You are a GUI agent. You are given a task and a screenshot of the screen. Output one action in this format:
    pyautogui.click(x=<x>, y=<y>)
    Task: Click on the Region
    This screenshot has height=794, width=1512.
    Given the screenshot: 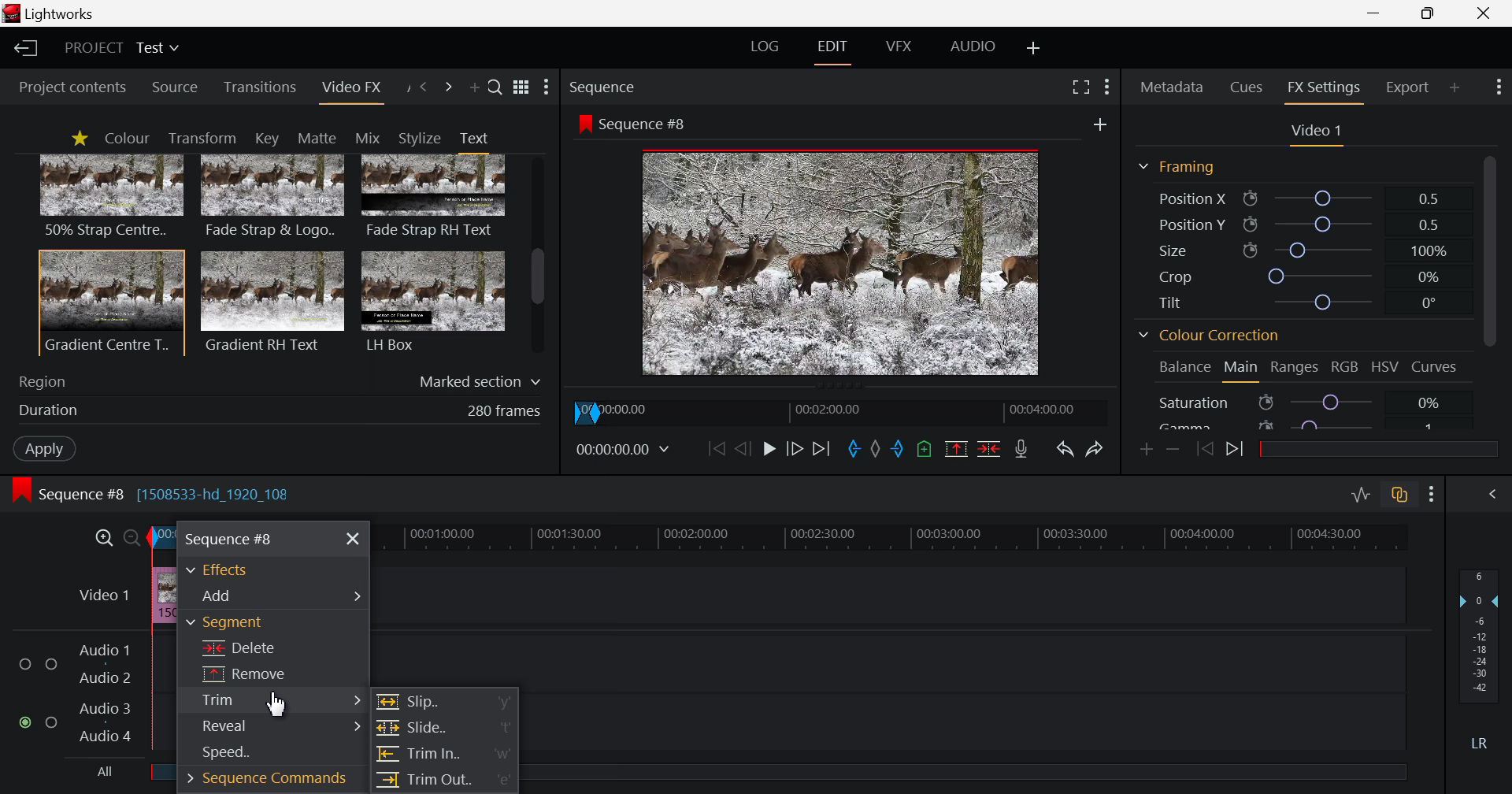 What is the action you would take?
    pyautogui.click(x=280, y=378)
    